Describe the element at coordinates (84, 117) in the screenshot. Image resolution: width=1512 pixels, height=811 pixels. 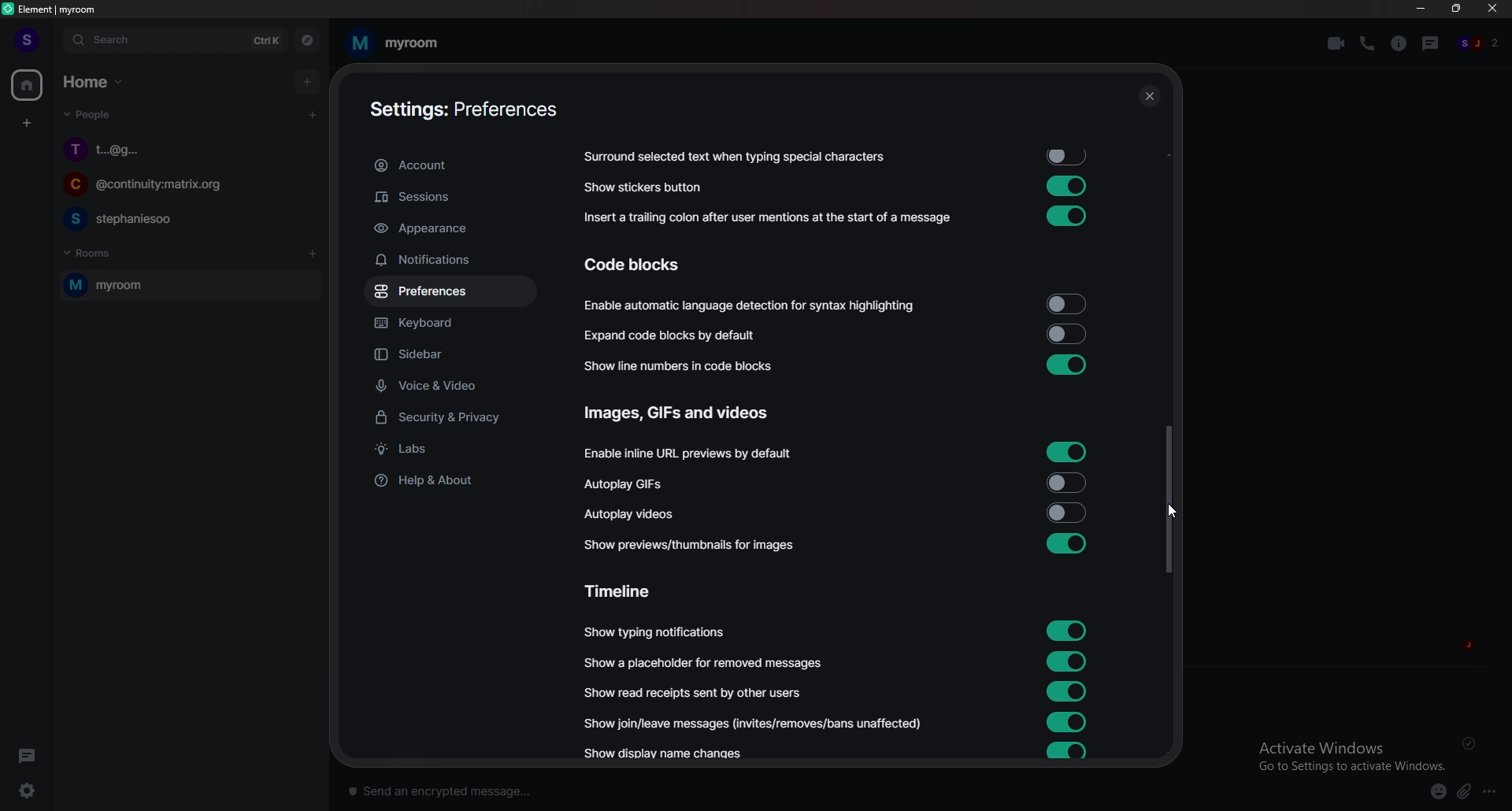
I see `People` at that location.